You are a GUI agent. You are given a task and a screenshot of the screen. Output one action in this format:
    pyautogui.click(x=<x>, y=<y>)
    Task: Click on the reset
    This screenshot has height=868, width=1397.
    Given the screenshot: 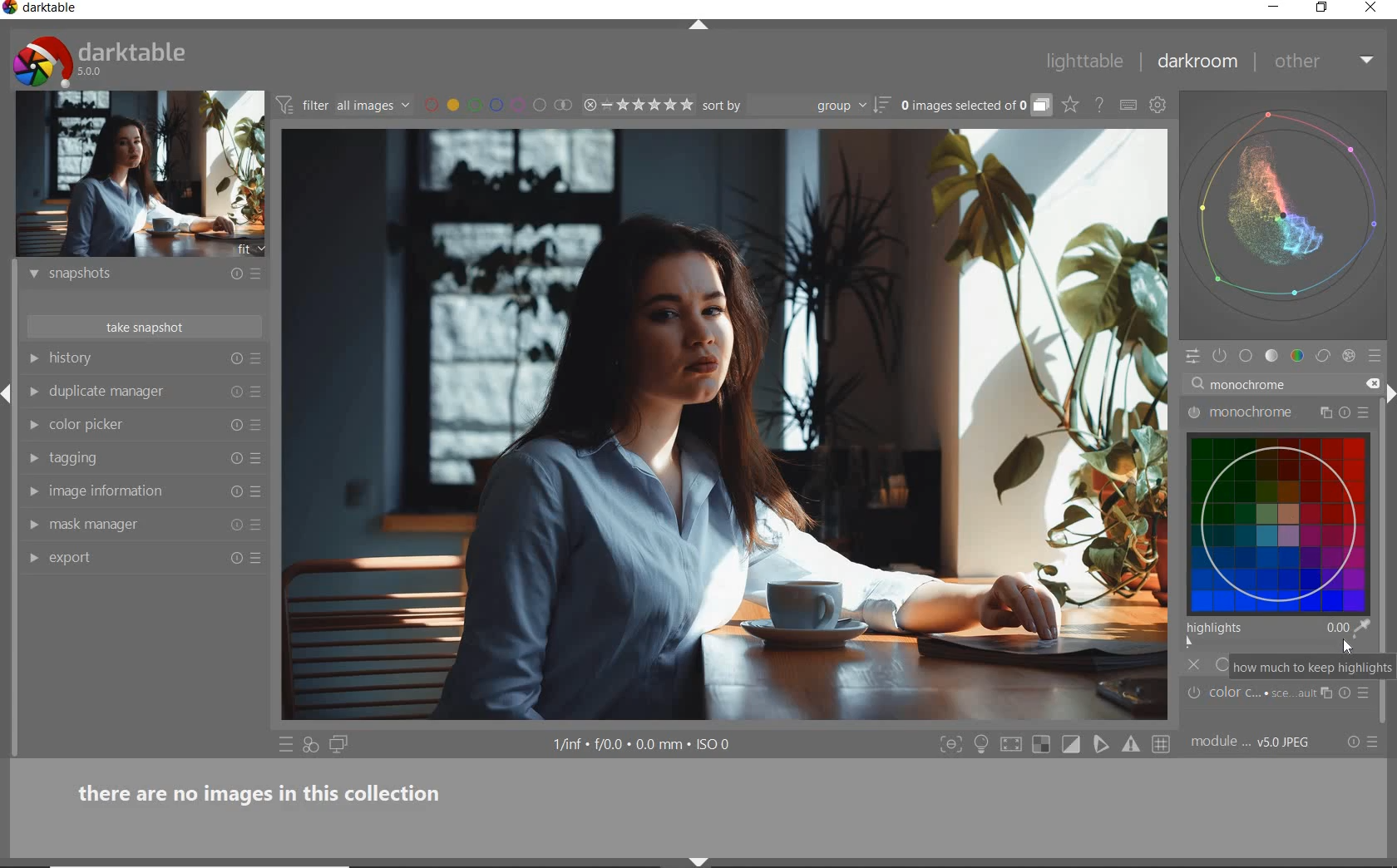 What is the action you would take?
    pyautogui.click(x=234, y=560)
    